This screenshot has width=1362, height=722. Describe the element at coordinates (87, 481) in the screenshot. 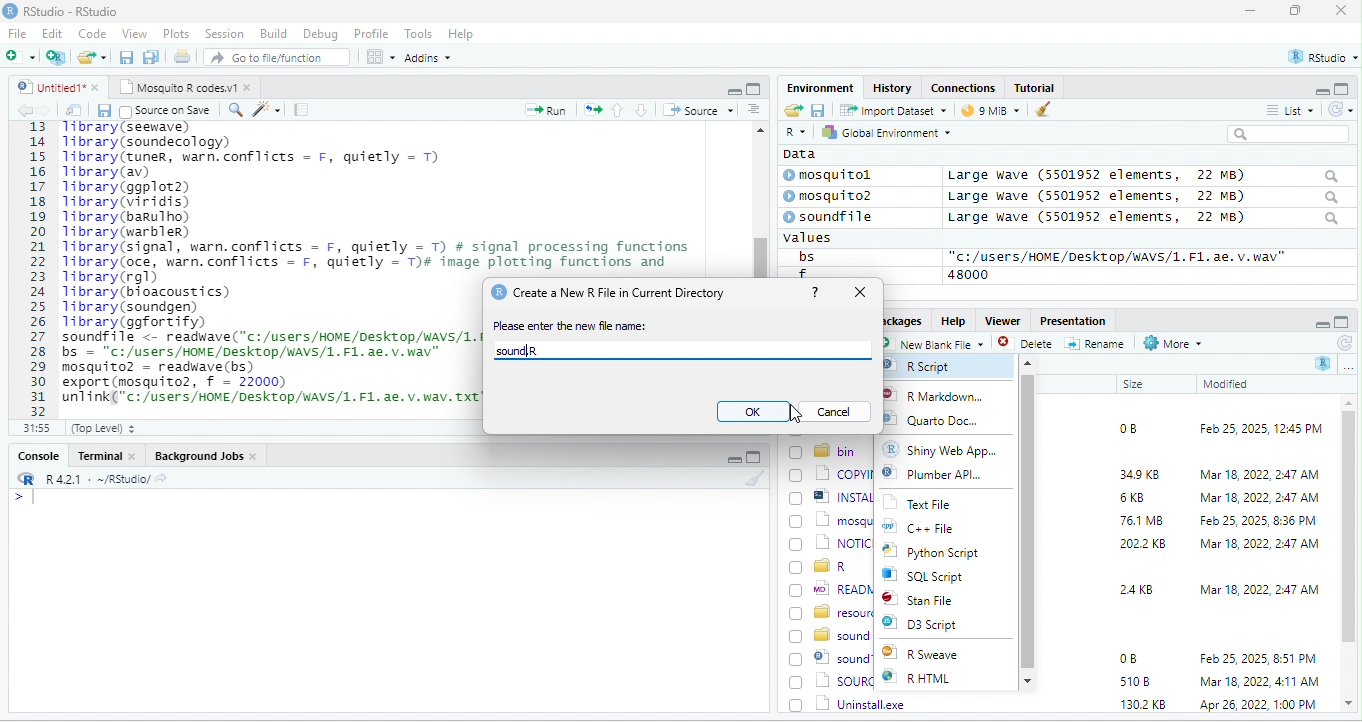

I see `RR R421 - ~/RStudio/` at that location.